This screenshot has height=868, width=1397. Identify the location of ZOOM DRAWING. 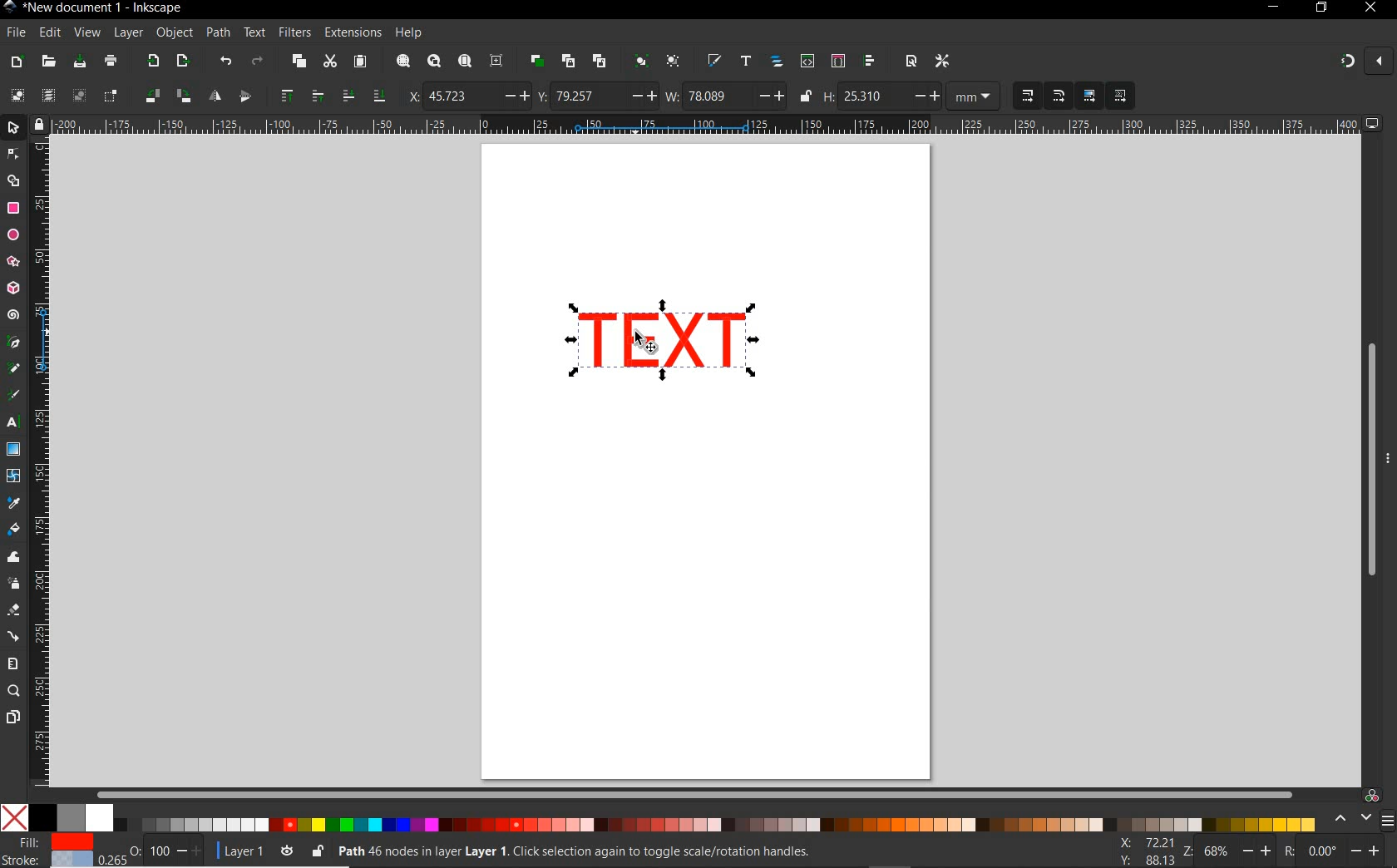
(432, 62).